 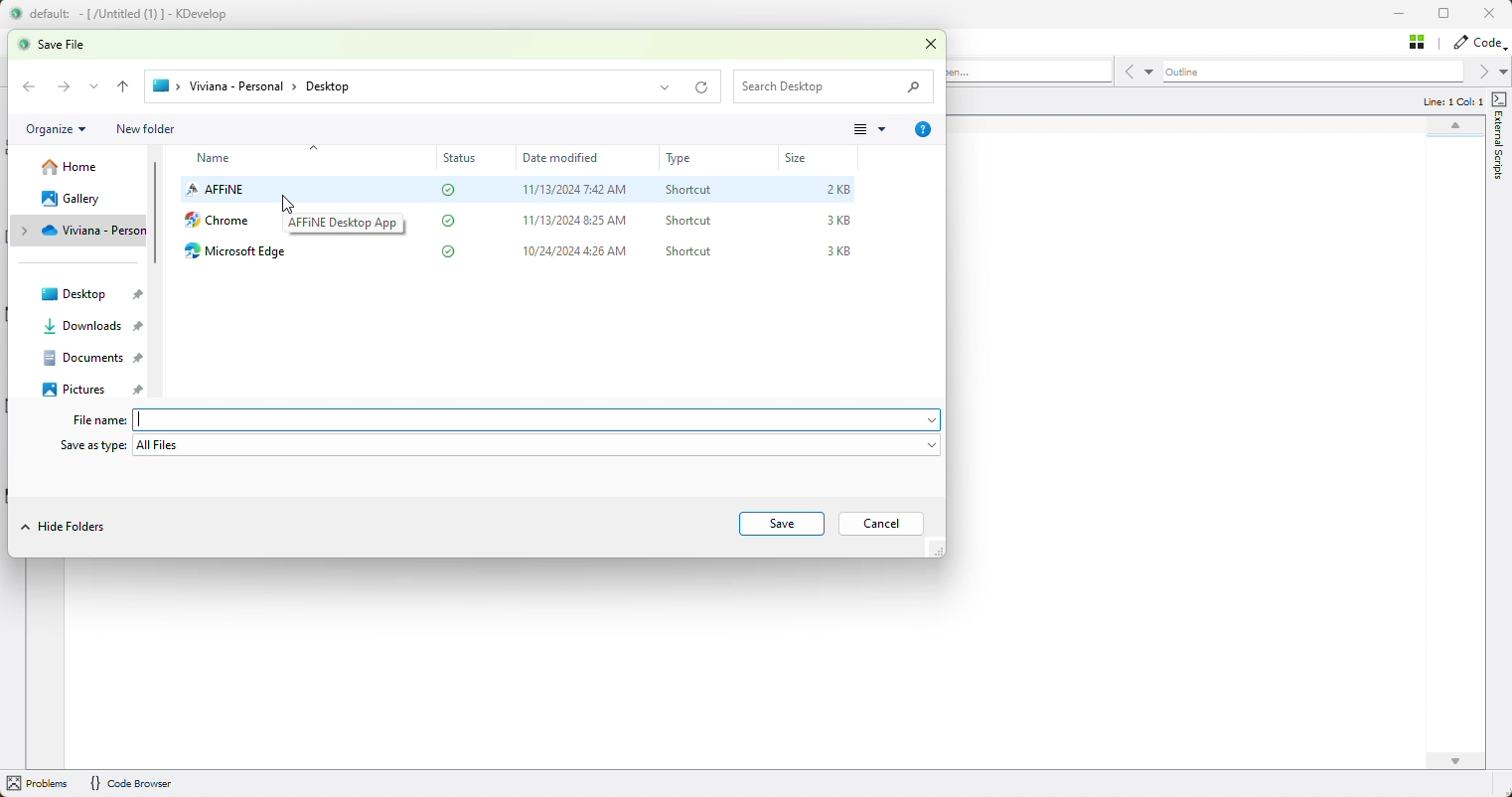 I want to click on type, so click(x=684, y=159).